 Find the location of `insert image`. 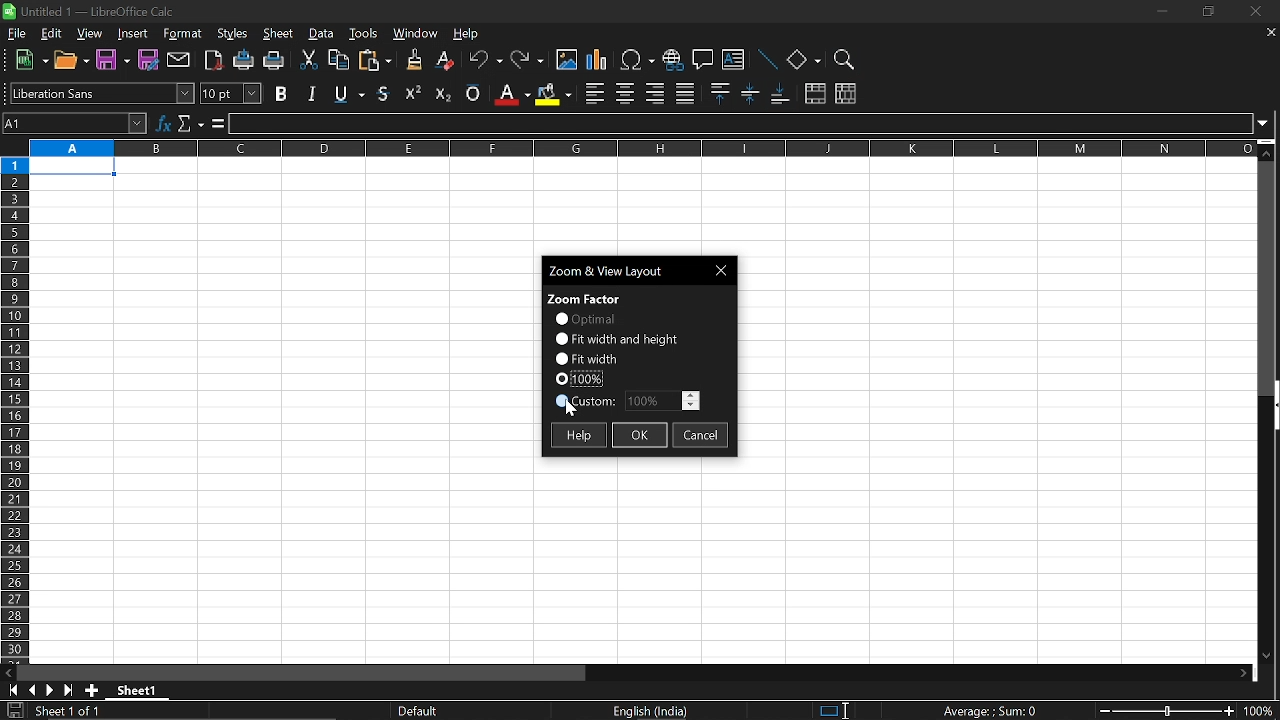

insert image is located at coordinates (567, 60).